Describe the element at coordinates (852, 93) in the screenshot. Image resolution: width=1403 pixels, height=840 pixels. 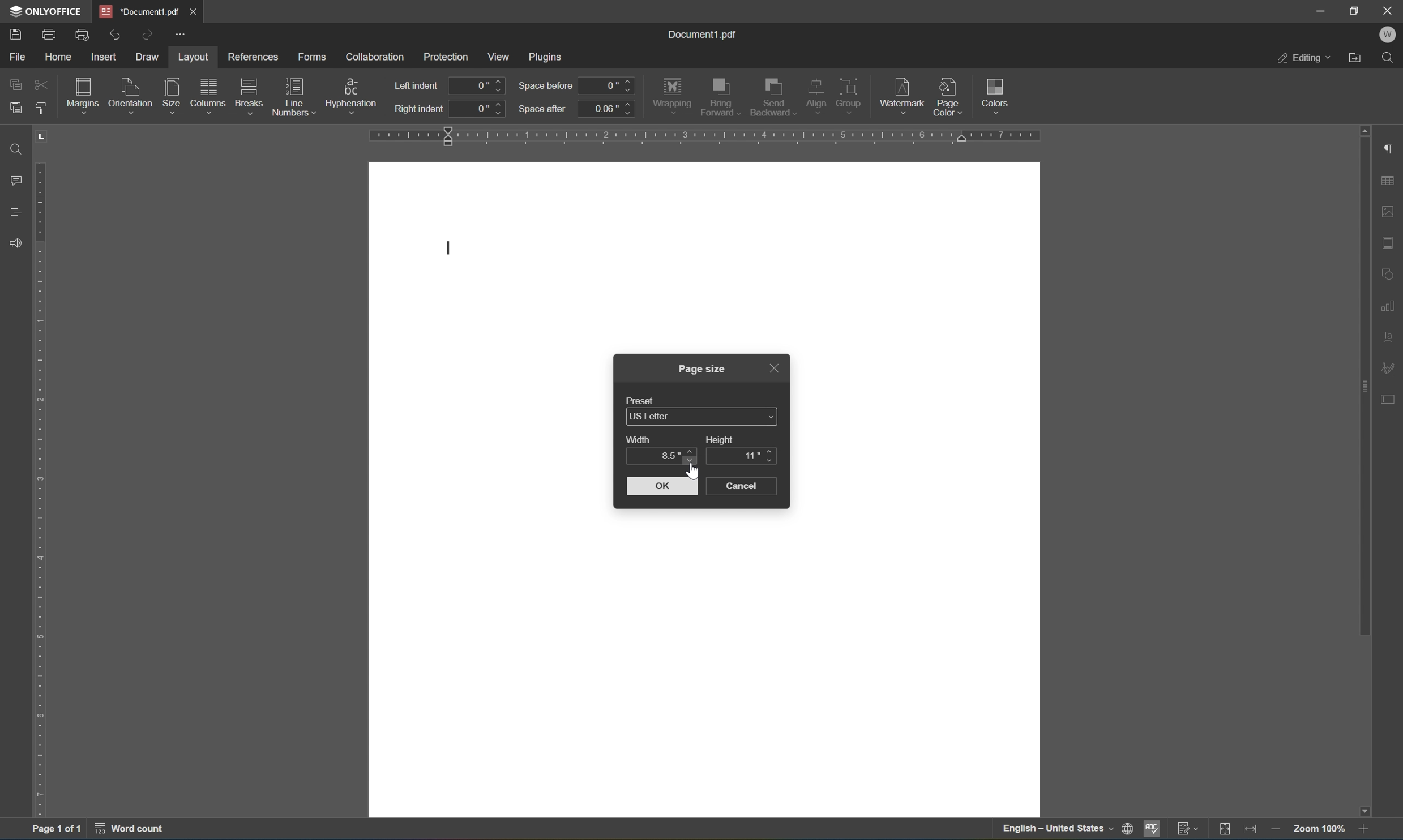
I see `group` at that location.